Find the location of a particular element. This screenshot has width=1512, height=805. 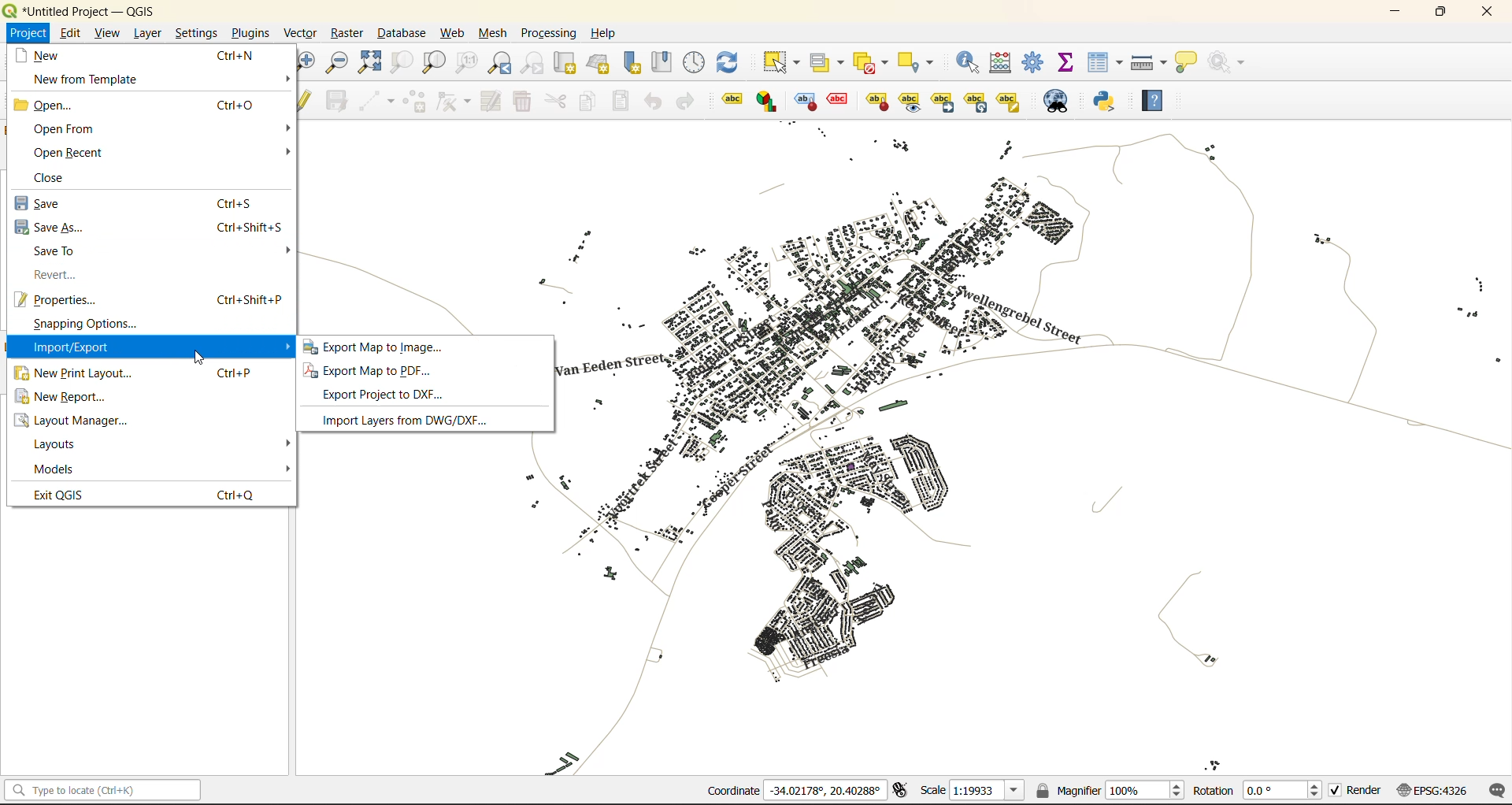

statistical summary is located at coordinates (1066, 64).